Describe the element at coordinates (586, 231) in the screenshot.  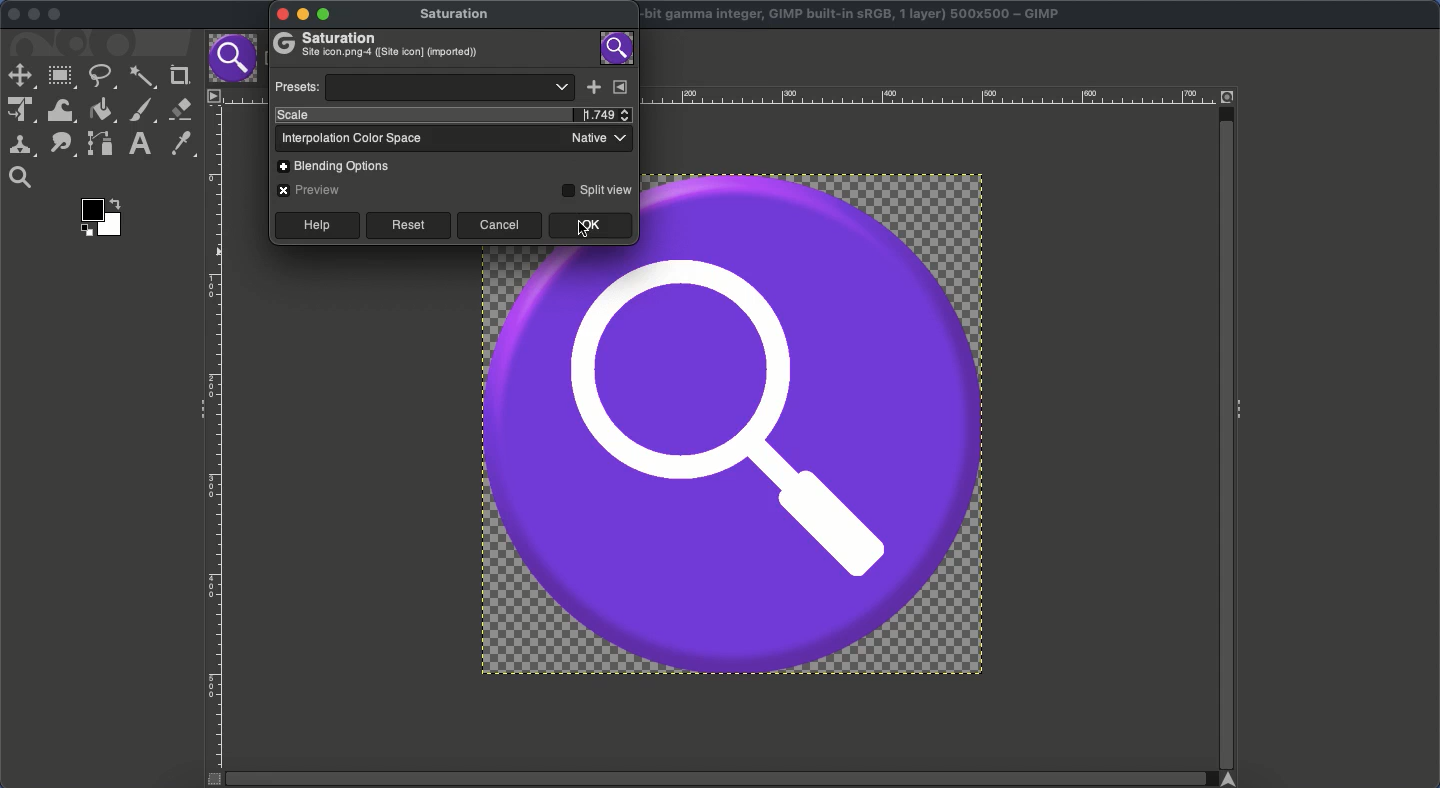
I see `cursor` at that location.